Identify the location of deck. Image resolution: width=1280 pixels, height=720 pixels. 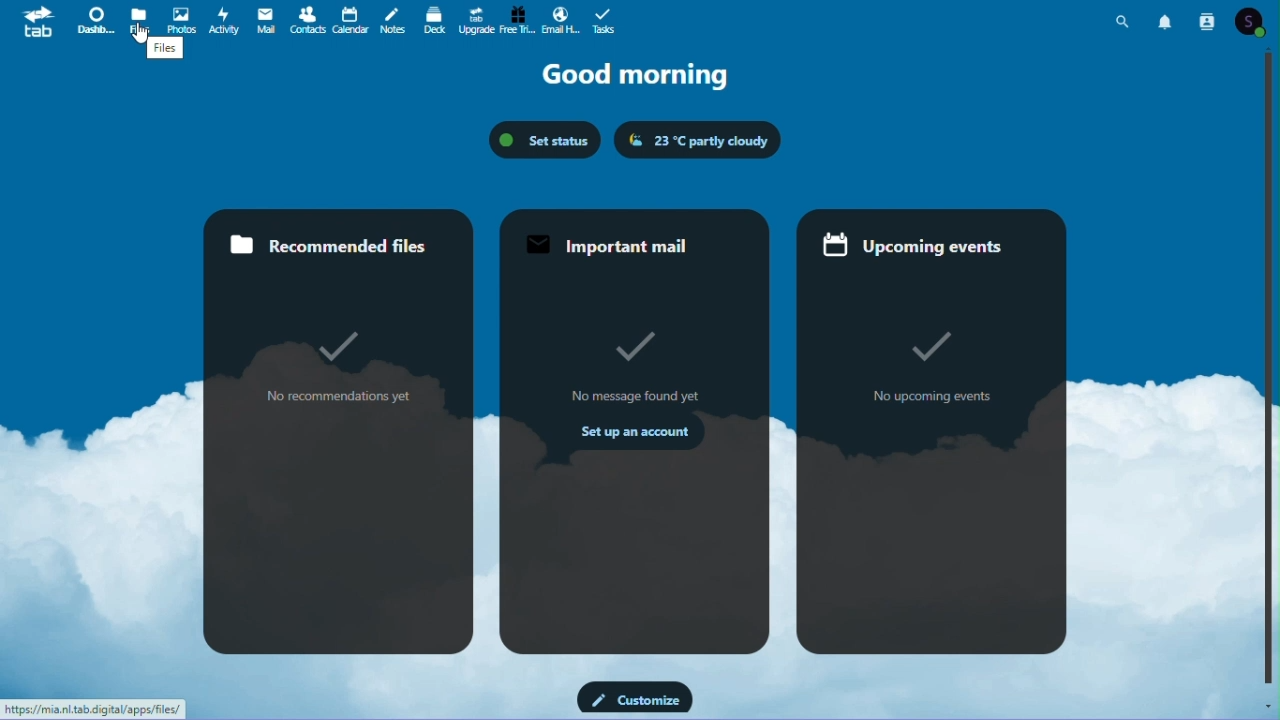
(435, 22).